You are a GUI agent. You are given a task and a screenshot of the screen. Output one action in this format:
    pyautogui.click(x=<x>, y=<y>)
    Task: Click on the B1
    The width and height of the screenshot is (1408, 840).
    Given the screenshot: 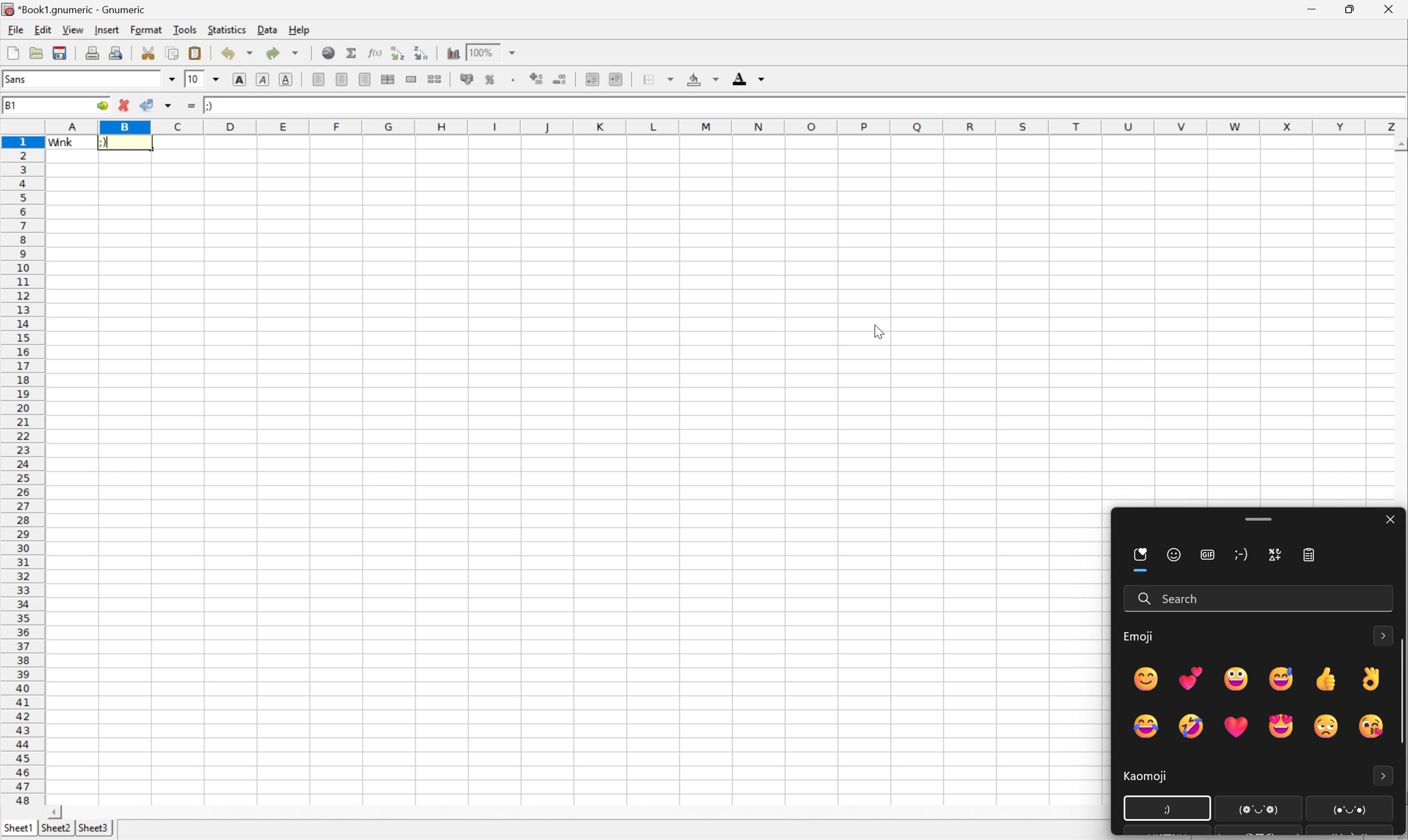 What is the action you would take?
    pyautogui.click(x=11, y=106)
    